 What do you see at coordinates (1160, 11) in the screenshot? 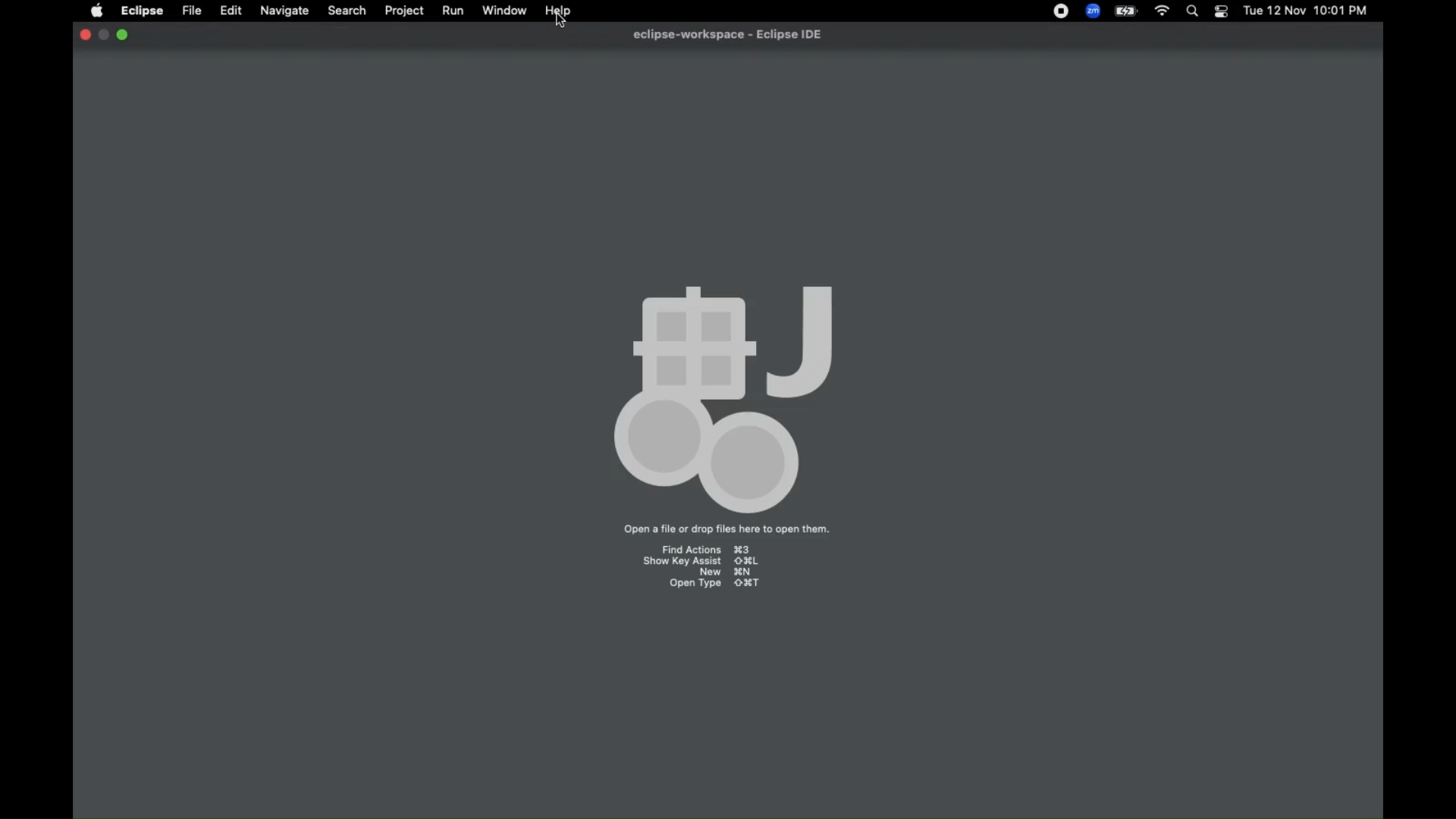
I see `wifi` at bounding box center [1160, 11].